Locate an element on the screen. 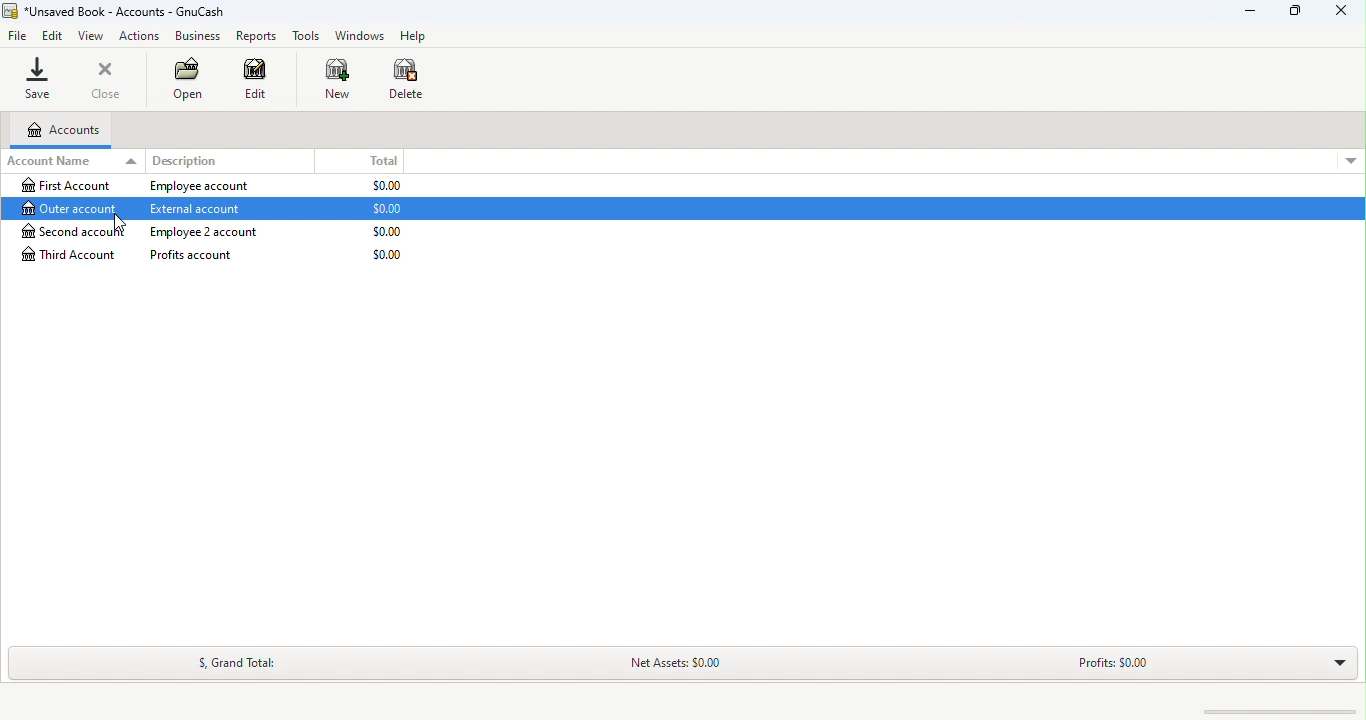  Account name is located at coordinates (70, 162).